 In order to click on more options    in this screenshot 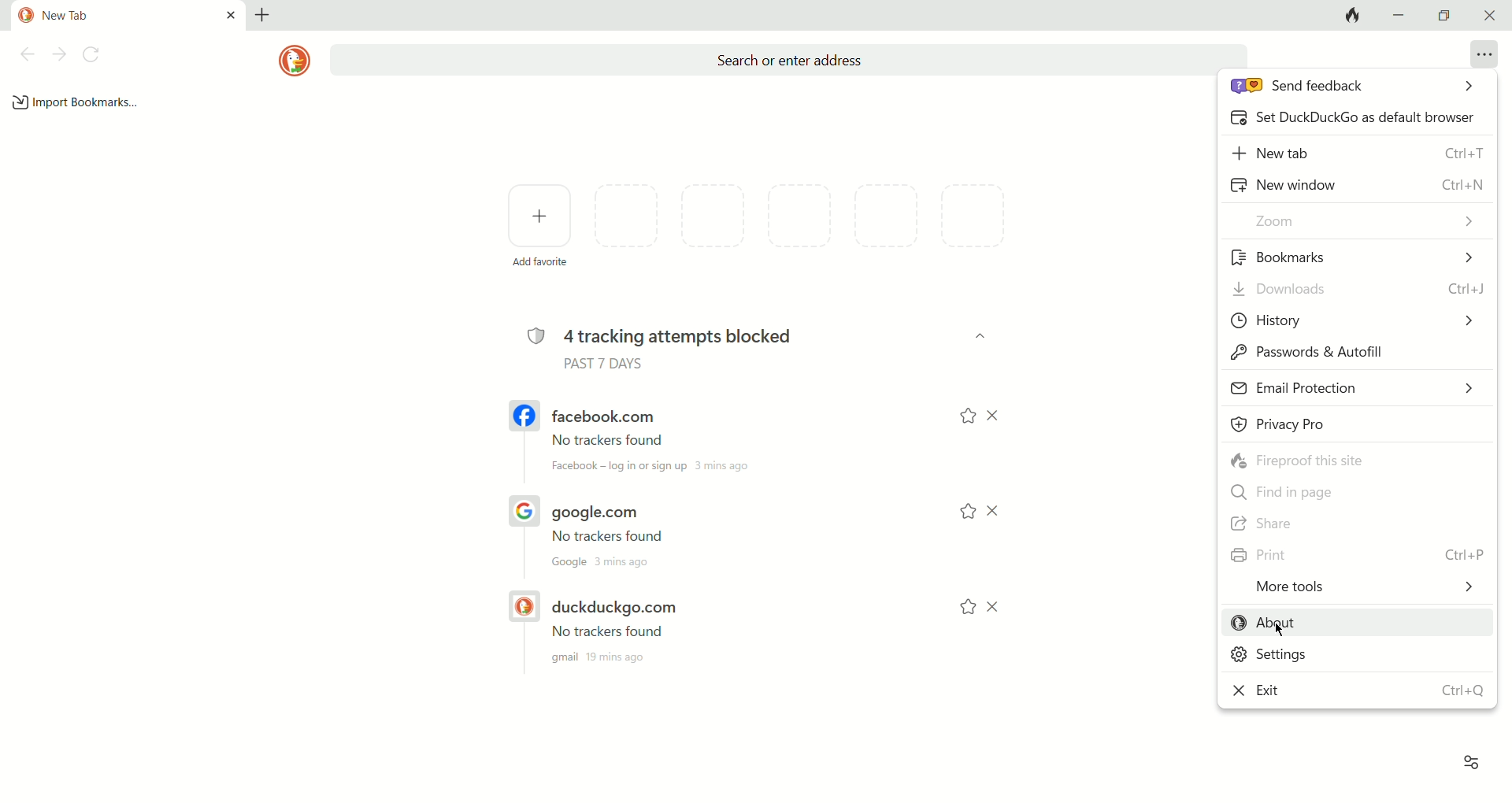, I will do `click(1483, 56)`.